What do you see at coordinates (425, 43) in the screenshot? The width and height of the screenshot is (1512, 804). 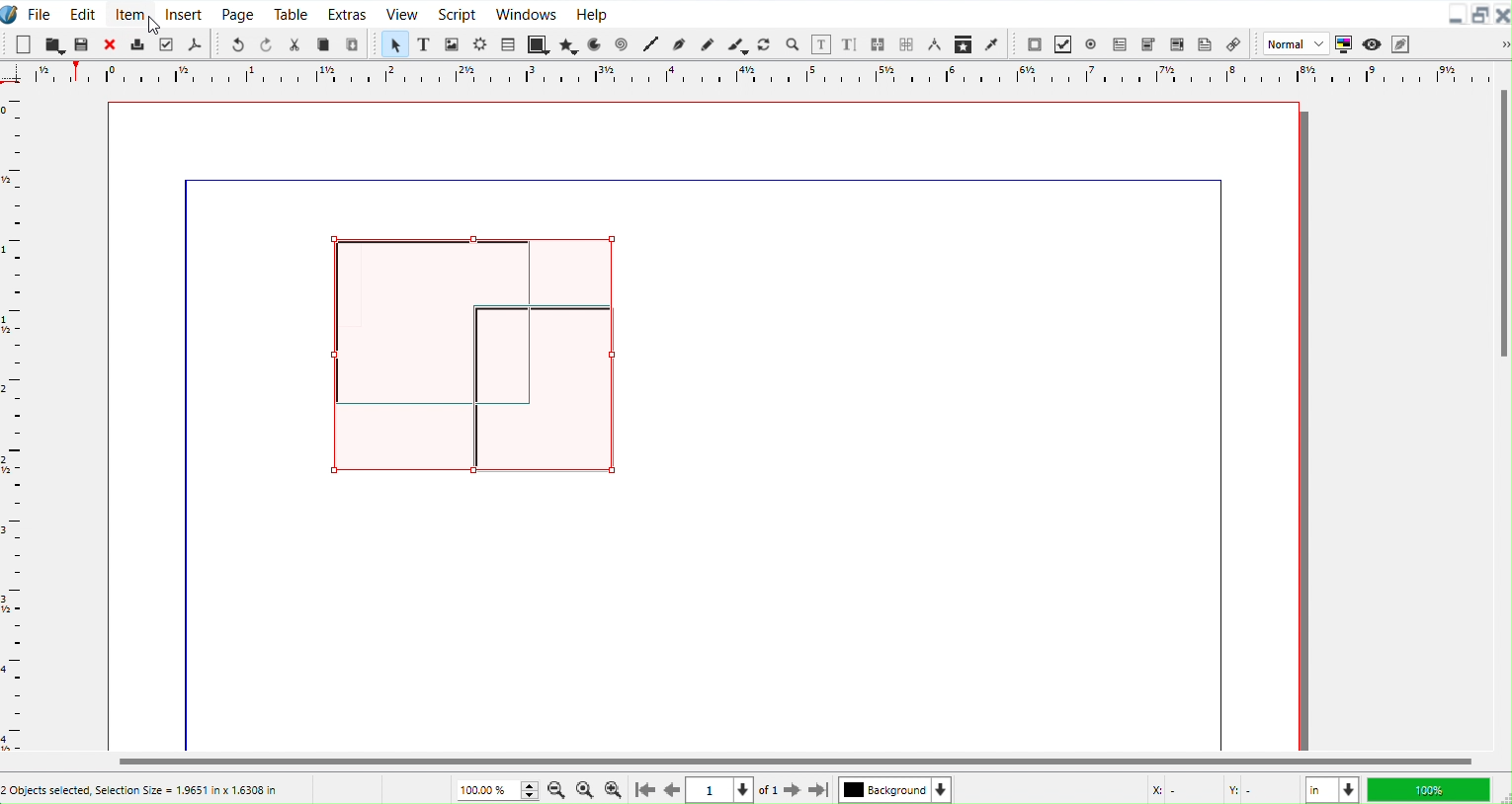 I see `Text Frame` at bounding box center [425, 43].